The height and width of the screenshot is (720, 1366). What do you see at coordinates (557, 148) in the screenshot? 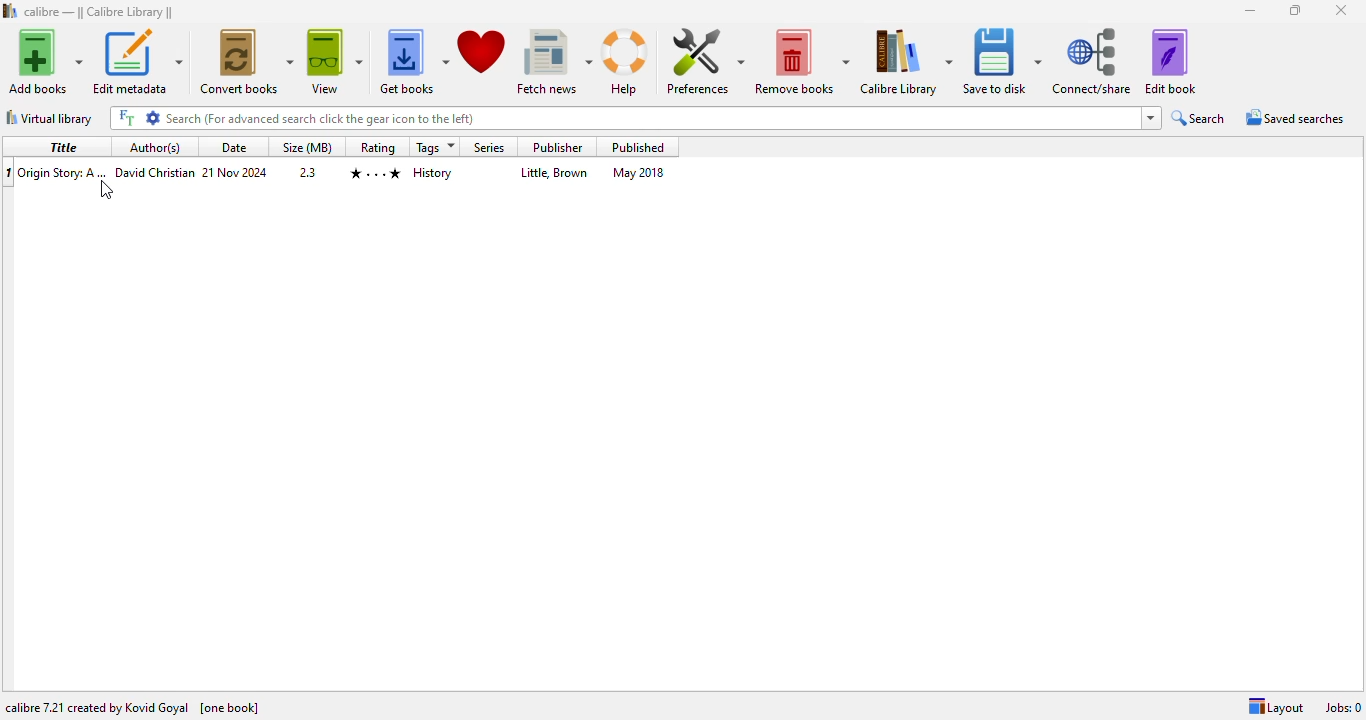
I see `publisher` at bounding box center [557, 148].